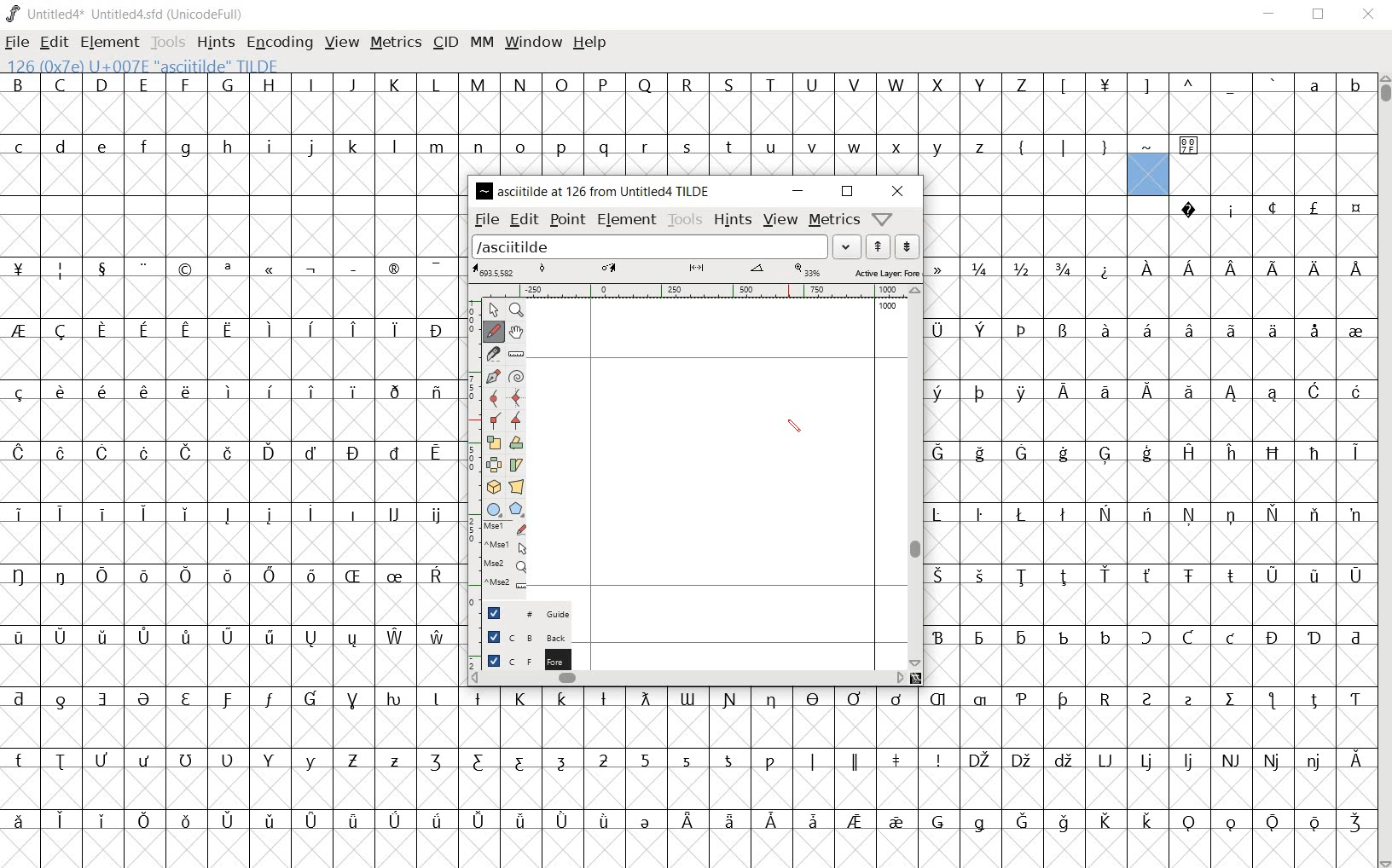 The height and width of the screenshot is (868, 1392). I want to click on scroll by hand, so click(517, 333).